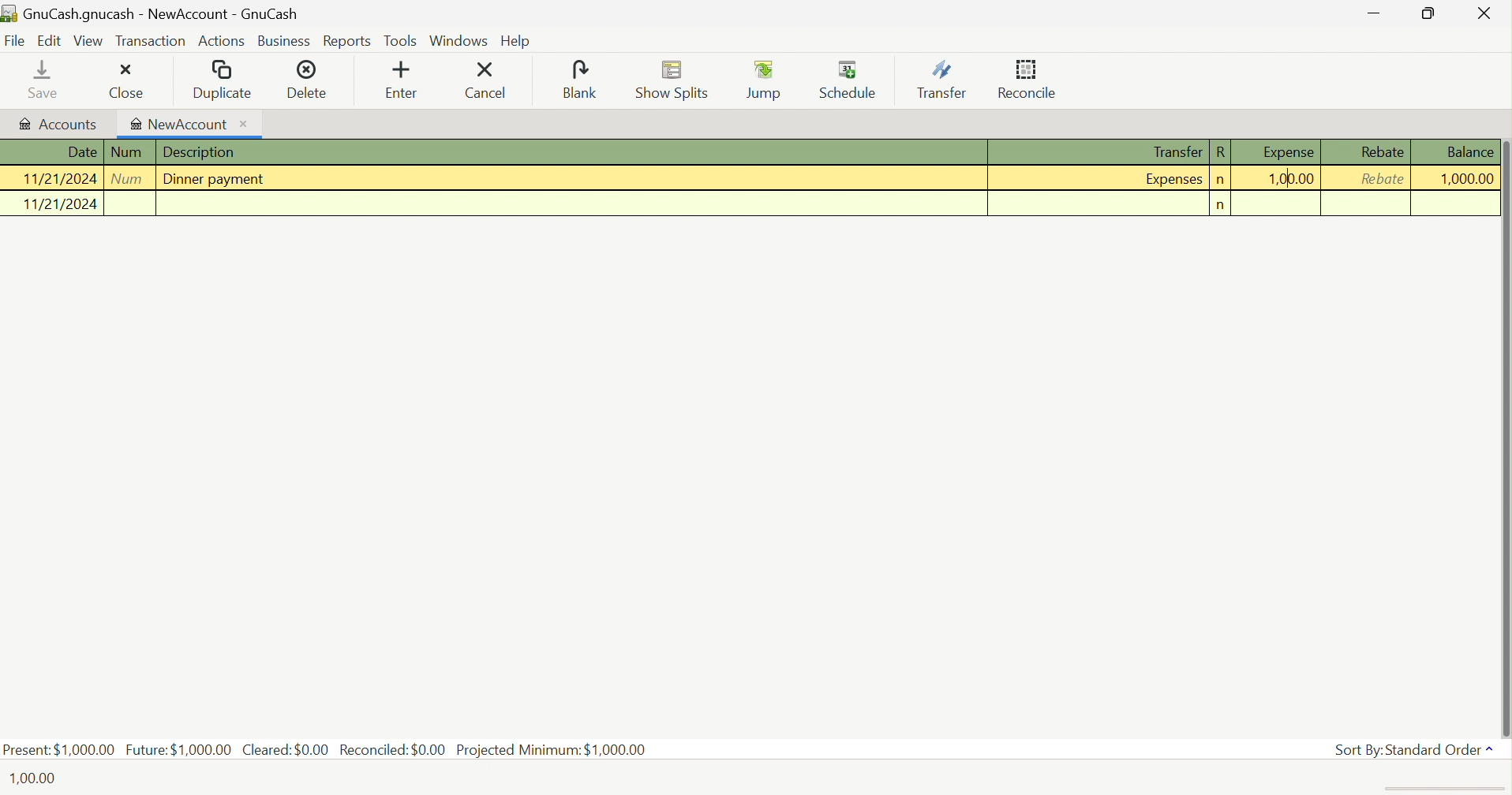  Describe the element at coordinates (1375, 15) in the screenshot. I see `Minimize` at that location.